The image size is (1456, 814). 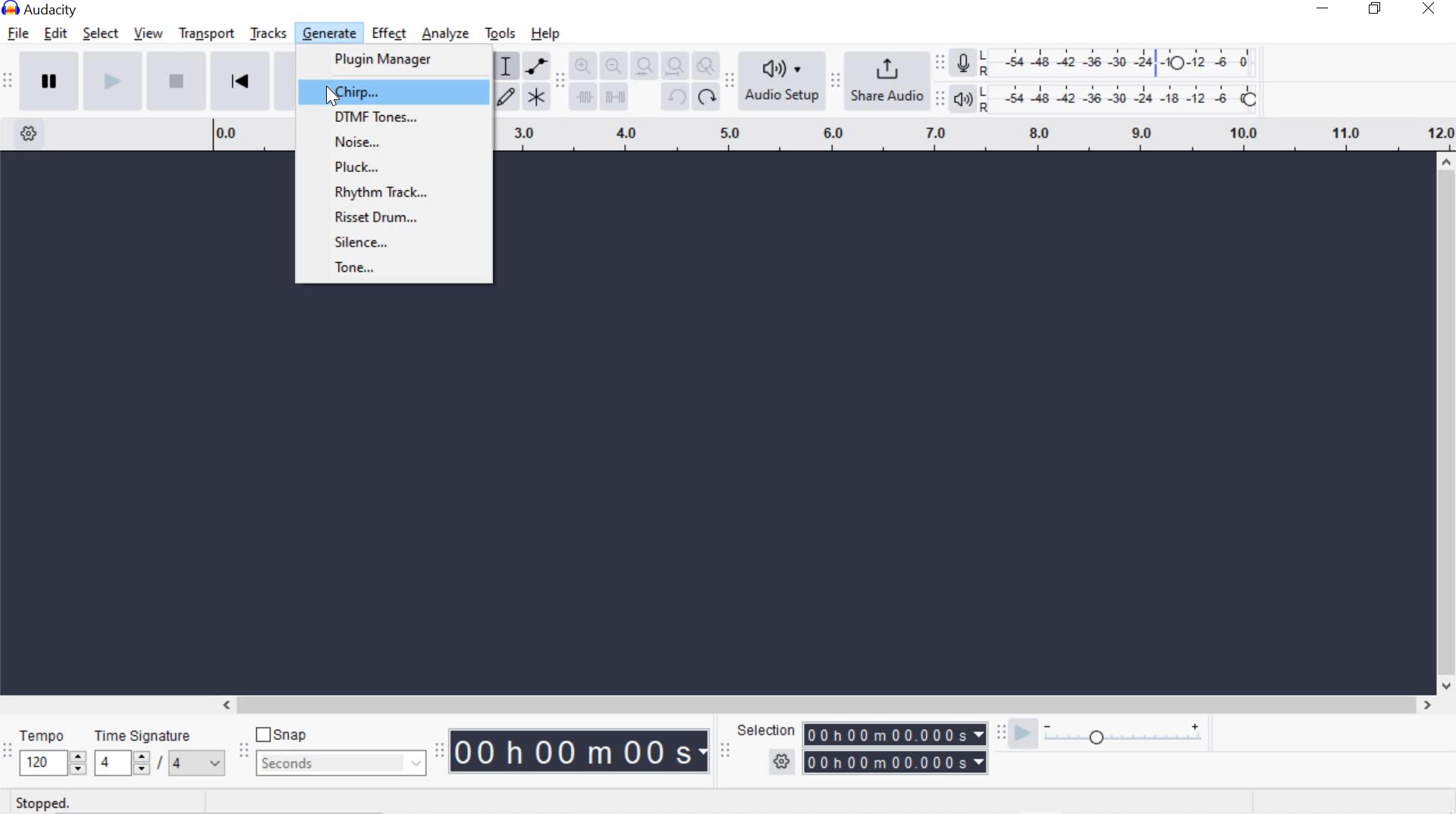 What do you see at coordinates (507, 98) in the screenshot?
I see `Draw tool` at bounding box center [507, 98].